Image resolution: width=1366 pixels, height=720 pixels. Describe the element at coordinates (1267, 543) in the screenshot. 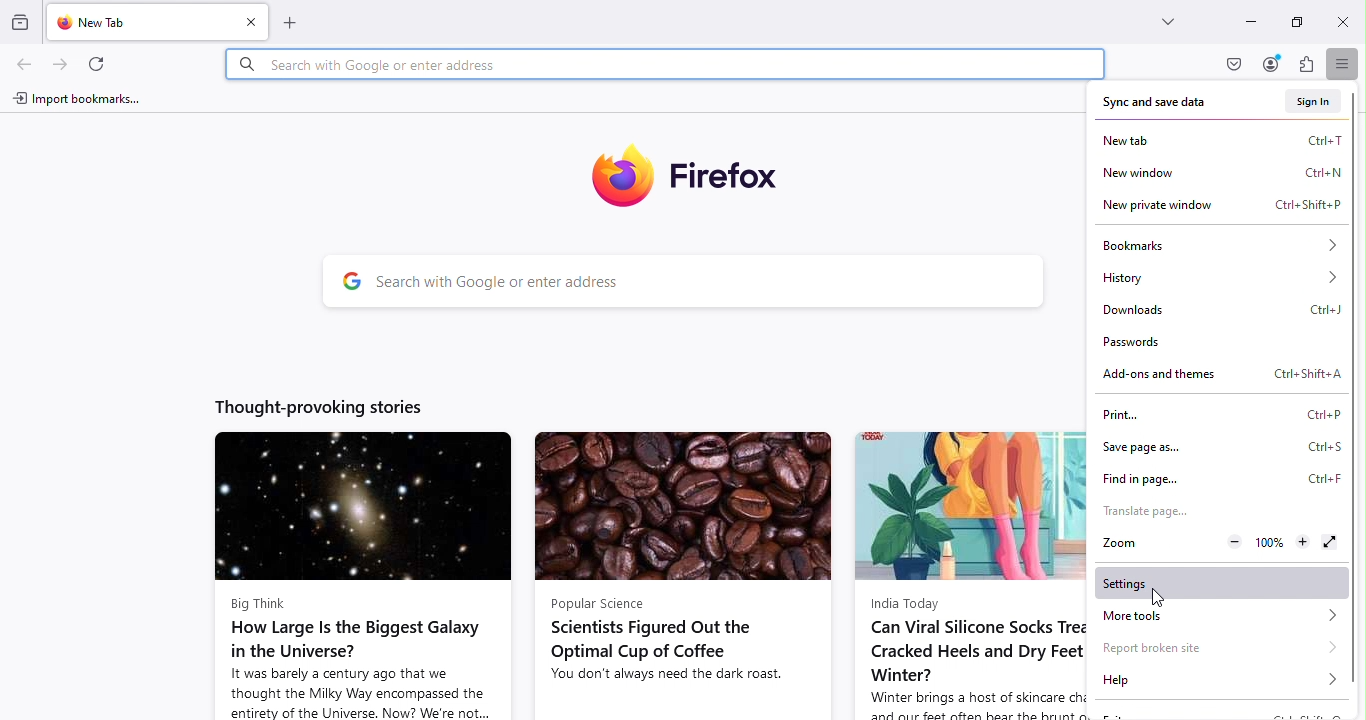

I see `Reset zoom level` at that location.